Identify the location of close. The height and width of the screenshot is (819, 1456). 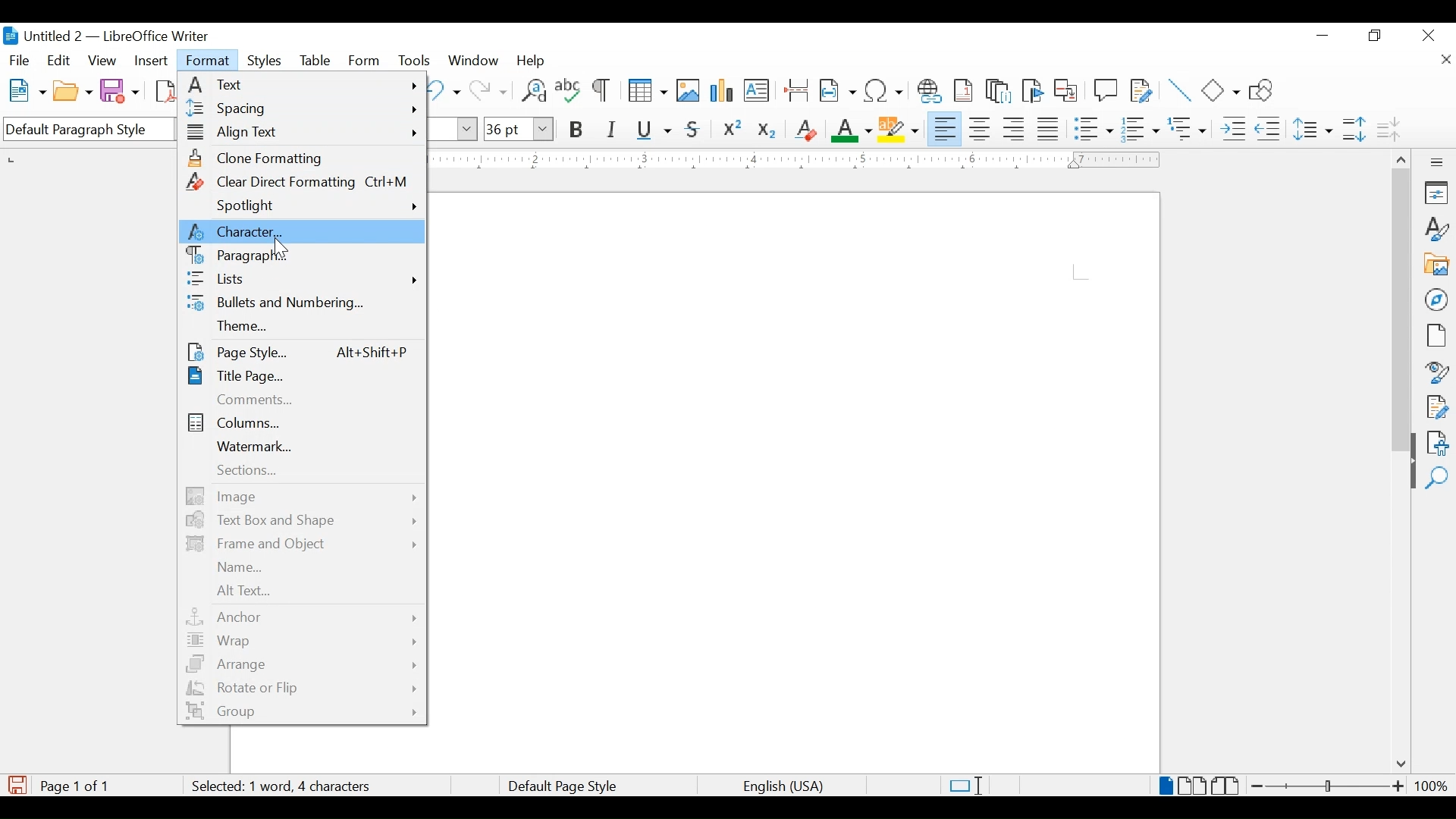
(1429, 34).